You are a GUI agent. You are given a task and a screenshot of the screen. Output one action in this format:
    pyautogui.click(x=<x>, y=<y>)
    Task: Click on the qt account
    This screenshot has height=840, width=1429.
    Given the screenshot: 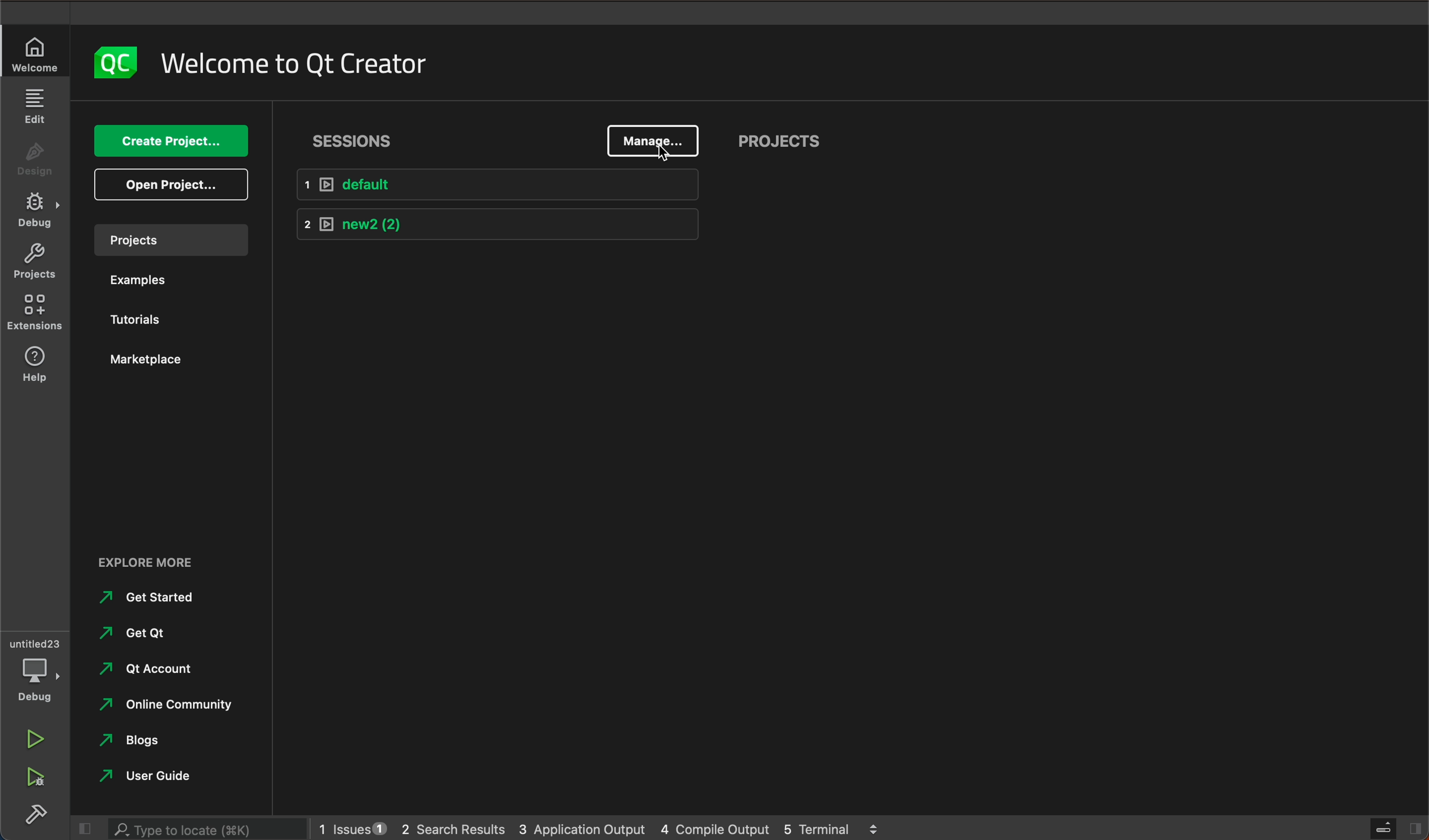 What is the action you would take?
    pyautogui.click(x=148, y=669)
    